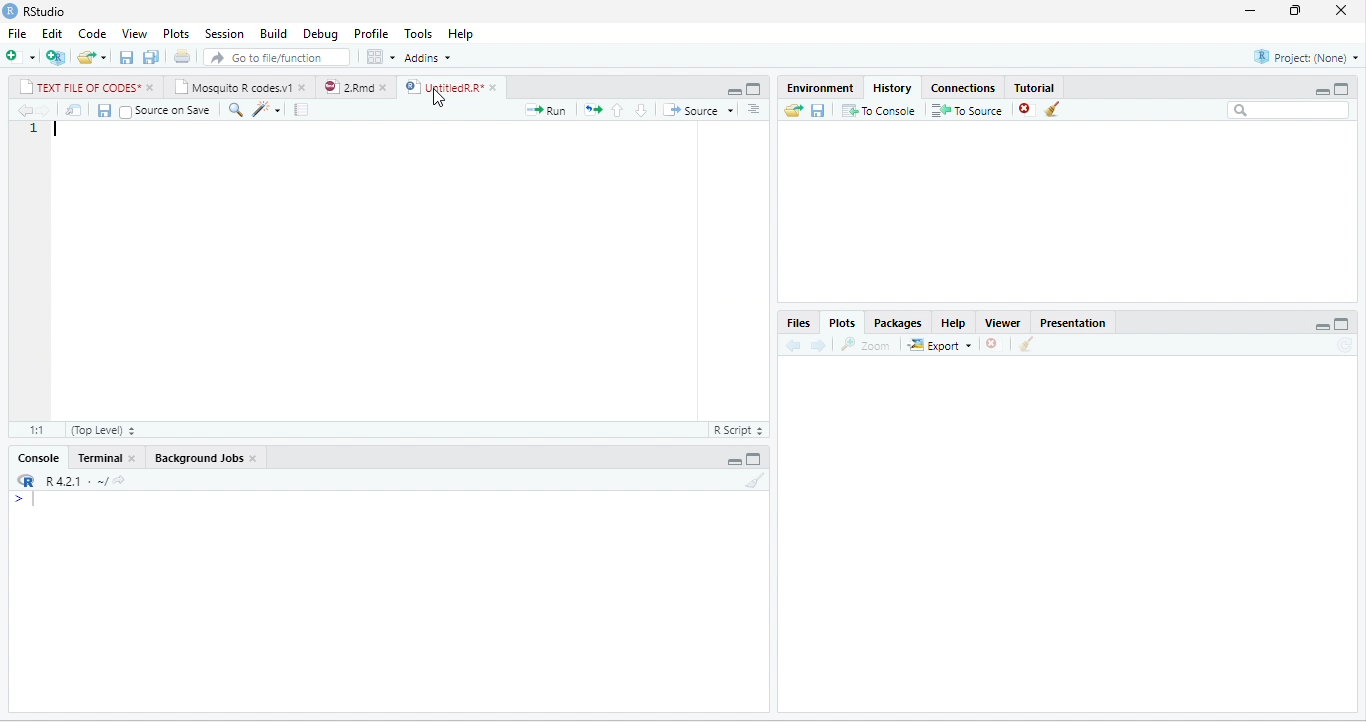  What do you see at coordinates (752, 90) in the screenshot?
I see `maximize` at bounding box center [752, 90].